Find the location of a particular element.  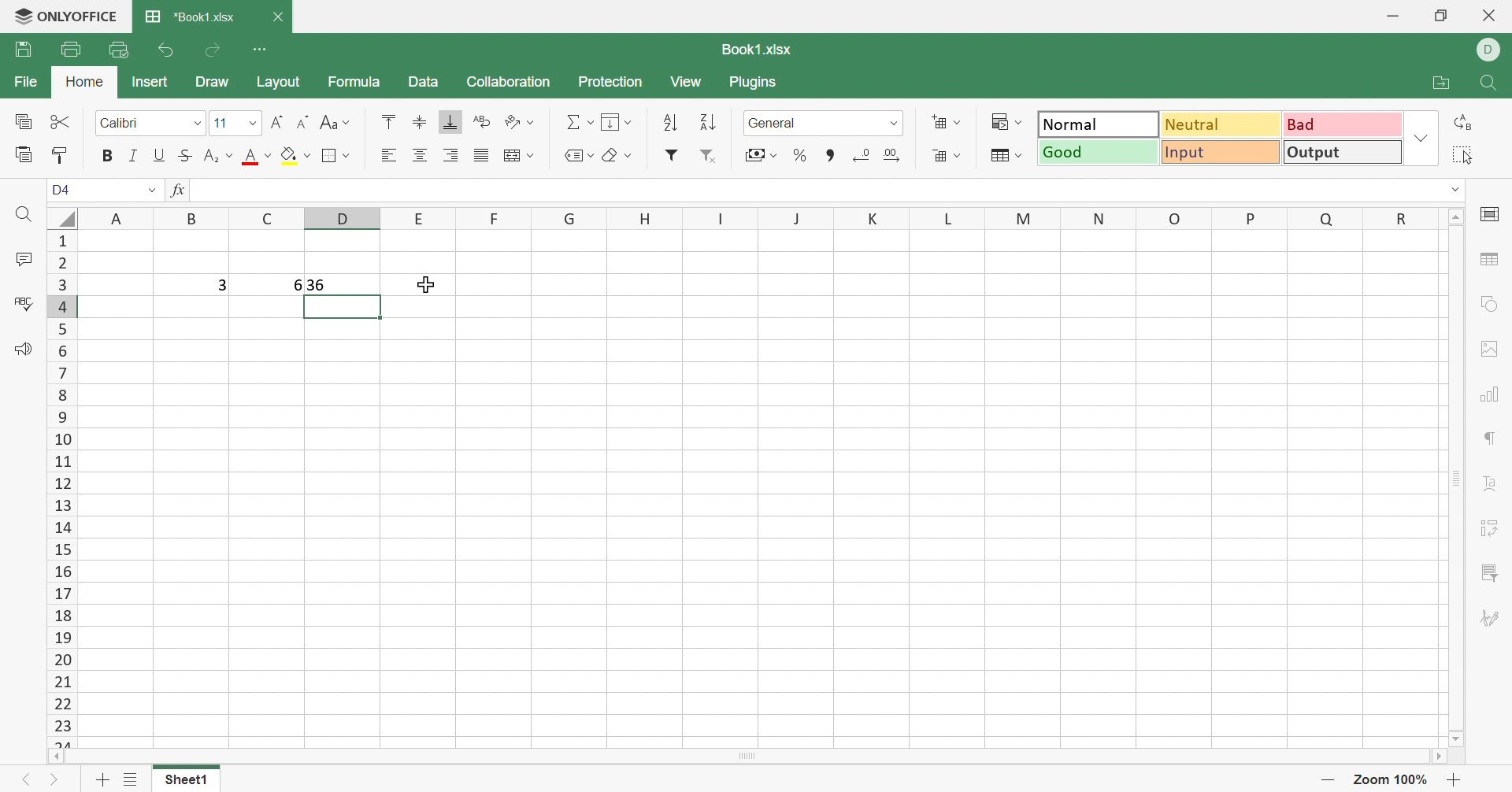

Fill color is located at coordinates (295, 156).